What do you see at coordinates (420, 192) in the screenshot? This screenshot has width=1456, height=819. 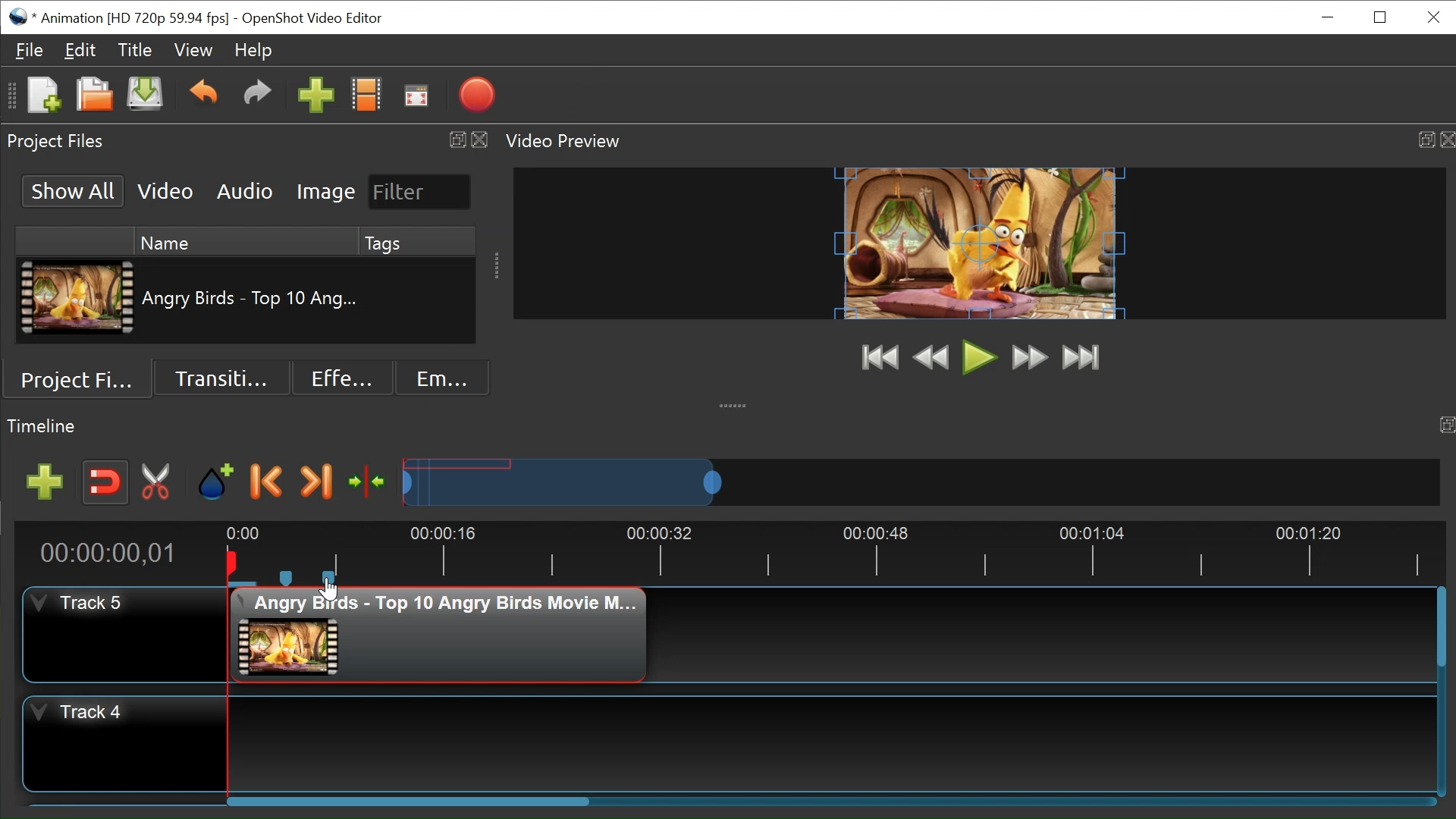 I see `Filter` at bounding box center [420, 192].